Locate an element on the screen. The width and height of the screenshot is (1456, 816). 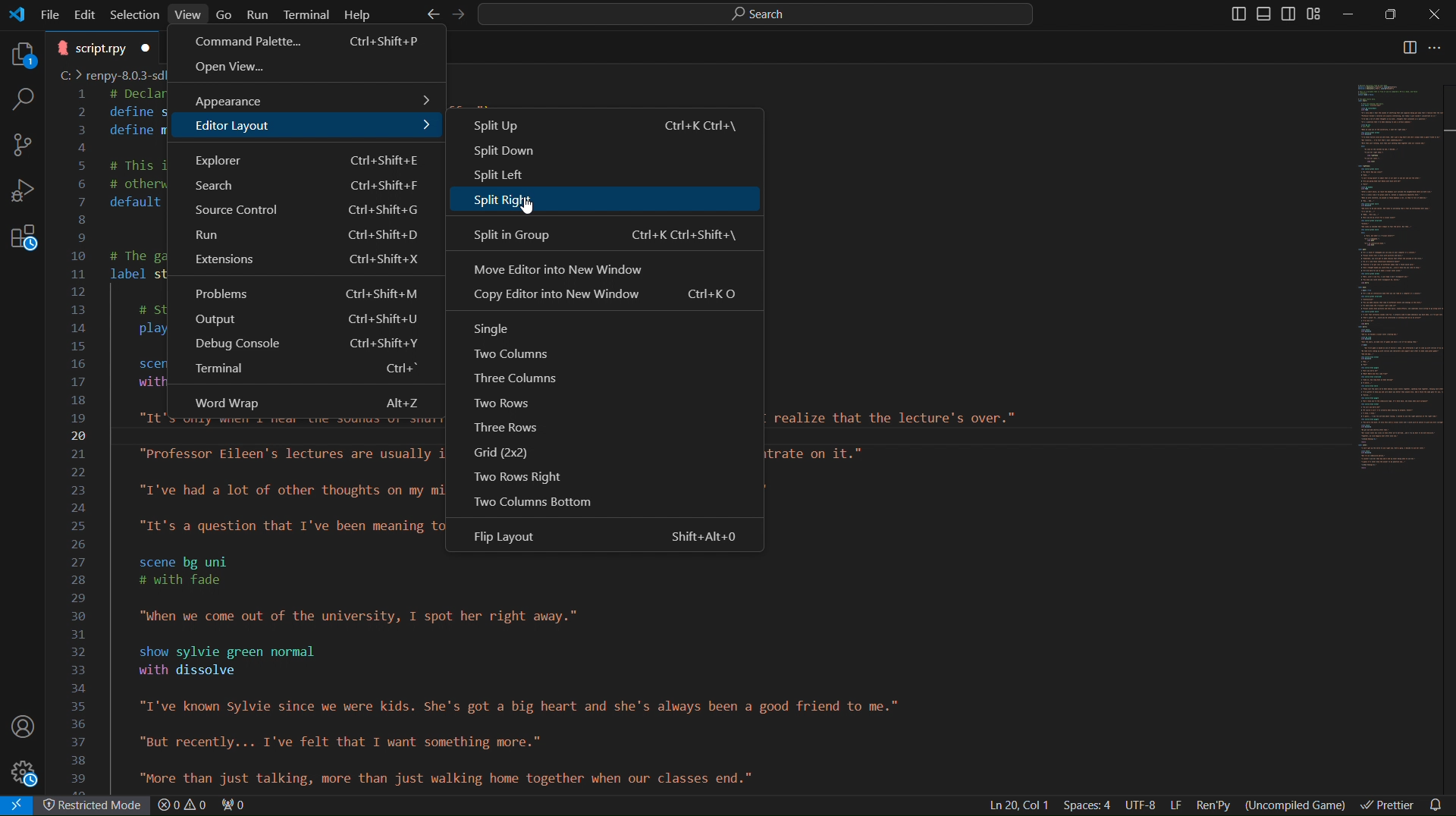
Close is located at coordinates (1433, 14).